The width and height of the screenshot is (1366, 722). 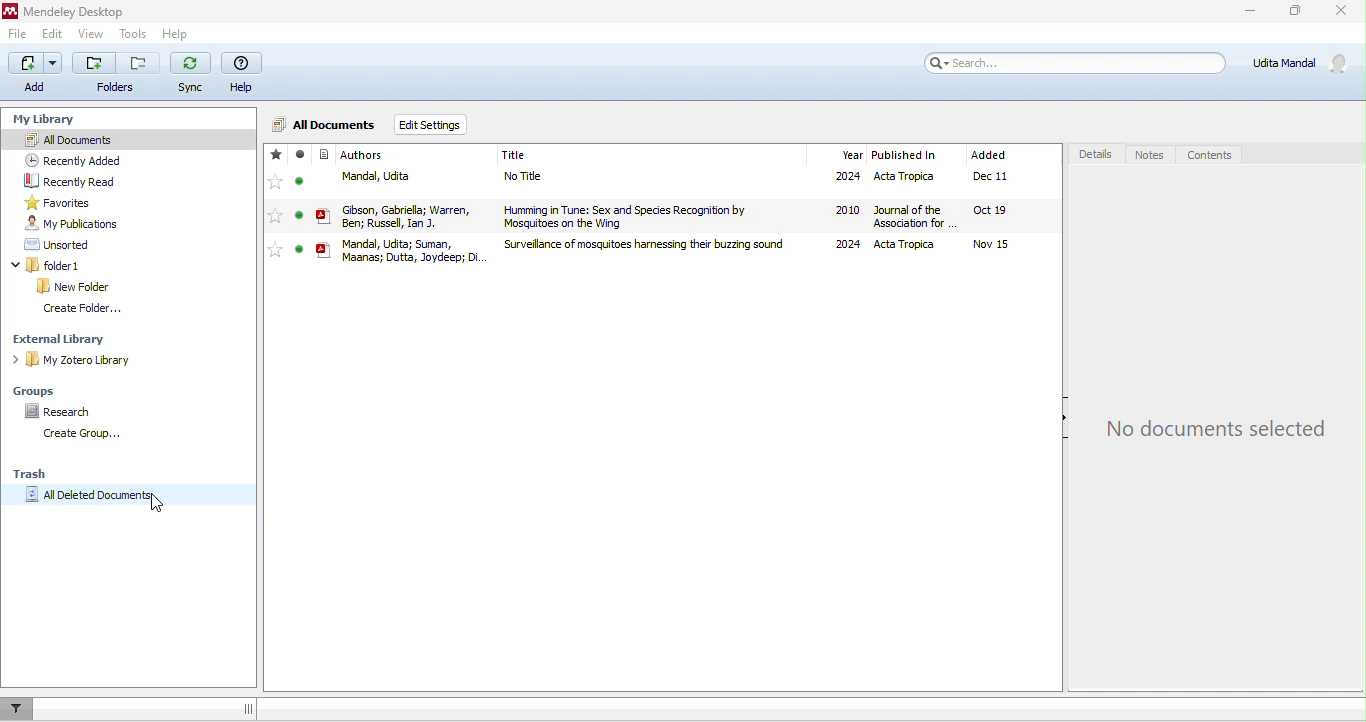 What do you see at coordinates (843, 148) in the screenshot?
I see `year` at bounding box center [843, 148].